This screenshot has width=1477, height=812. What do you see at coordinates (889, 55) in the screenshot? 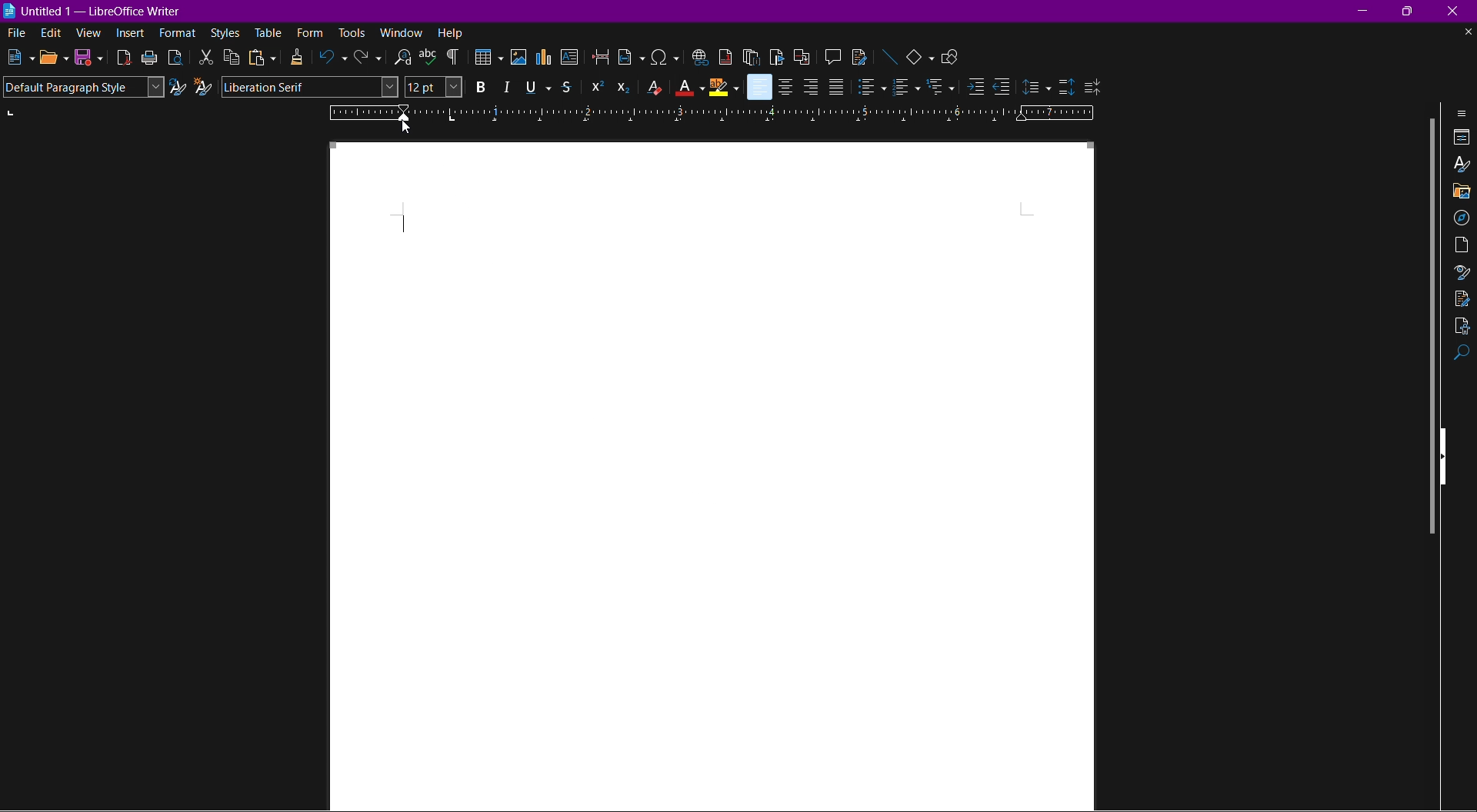
I see `Insert Line` at bounding box center [889, 55].